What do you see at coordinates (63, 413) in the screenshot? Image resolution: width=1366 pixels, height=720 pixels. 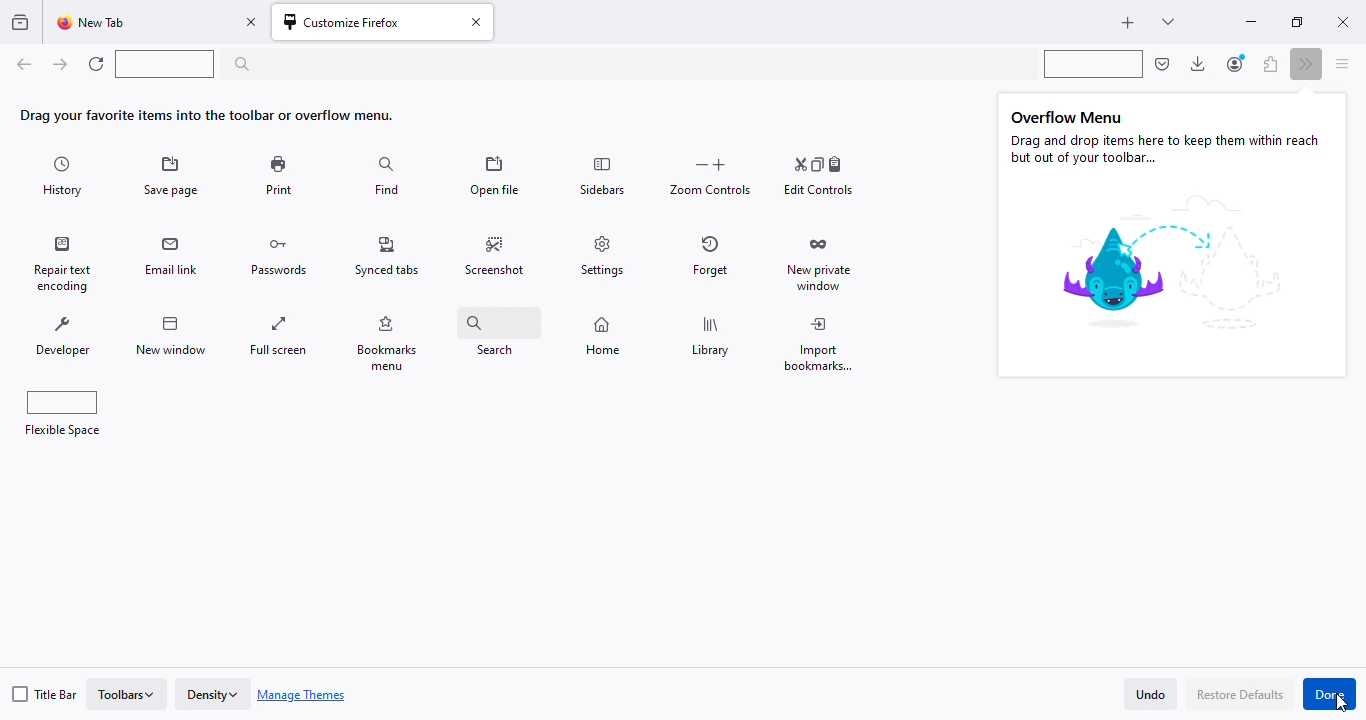 I see `flexible space` at bounding box center [63, 413].